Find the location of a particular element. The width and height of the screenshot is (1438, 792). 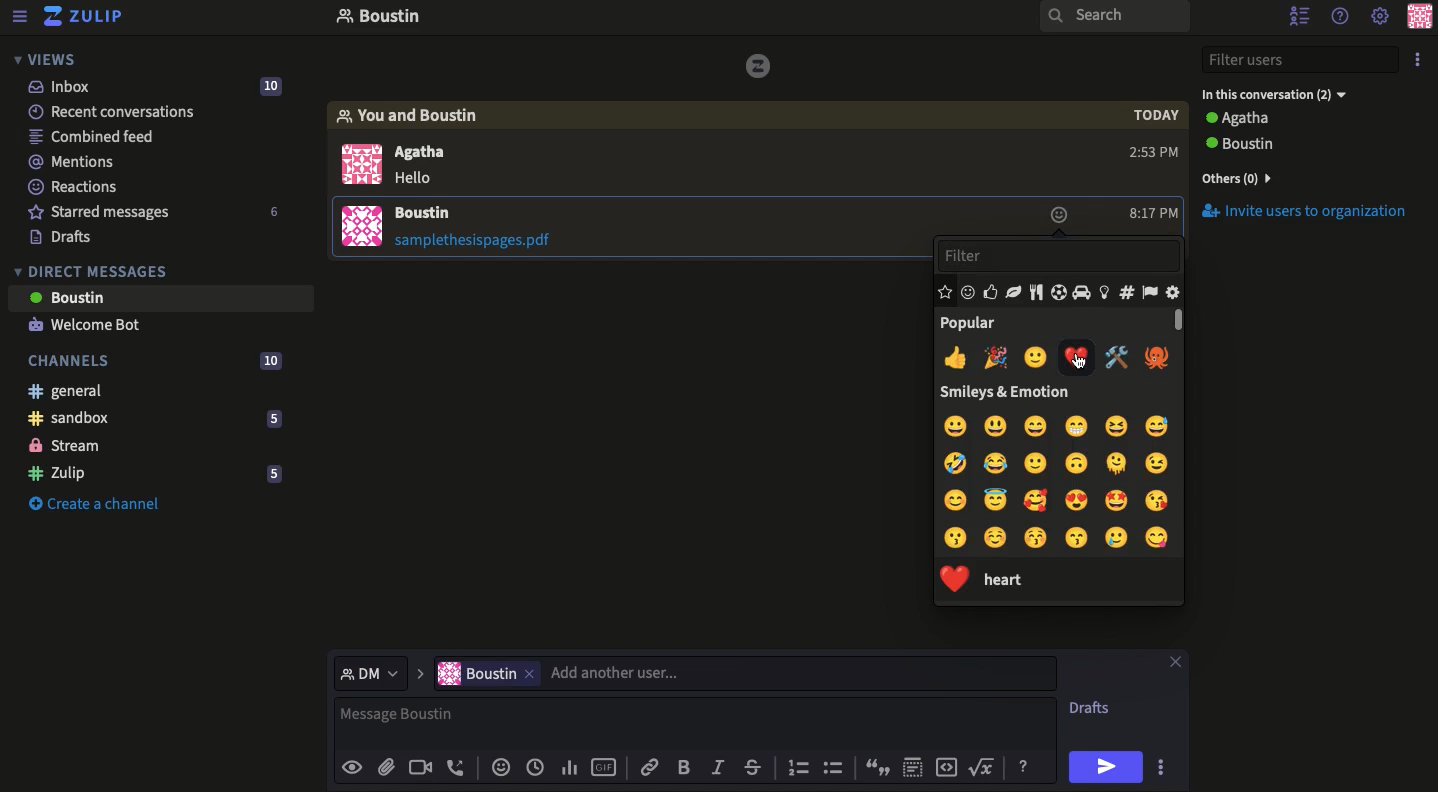

Create a channel is located at coordinates (91, 503).